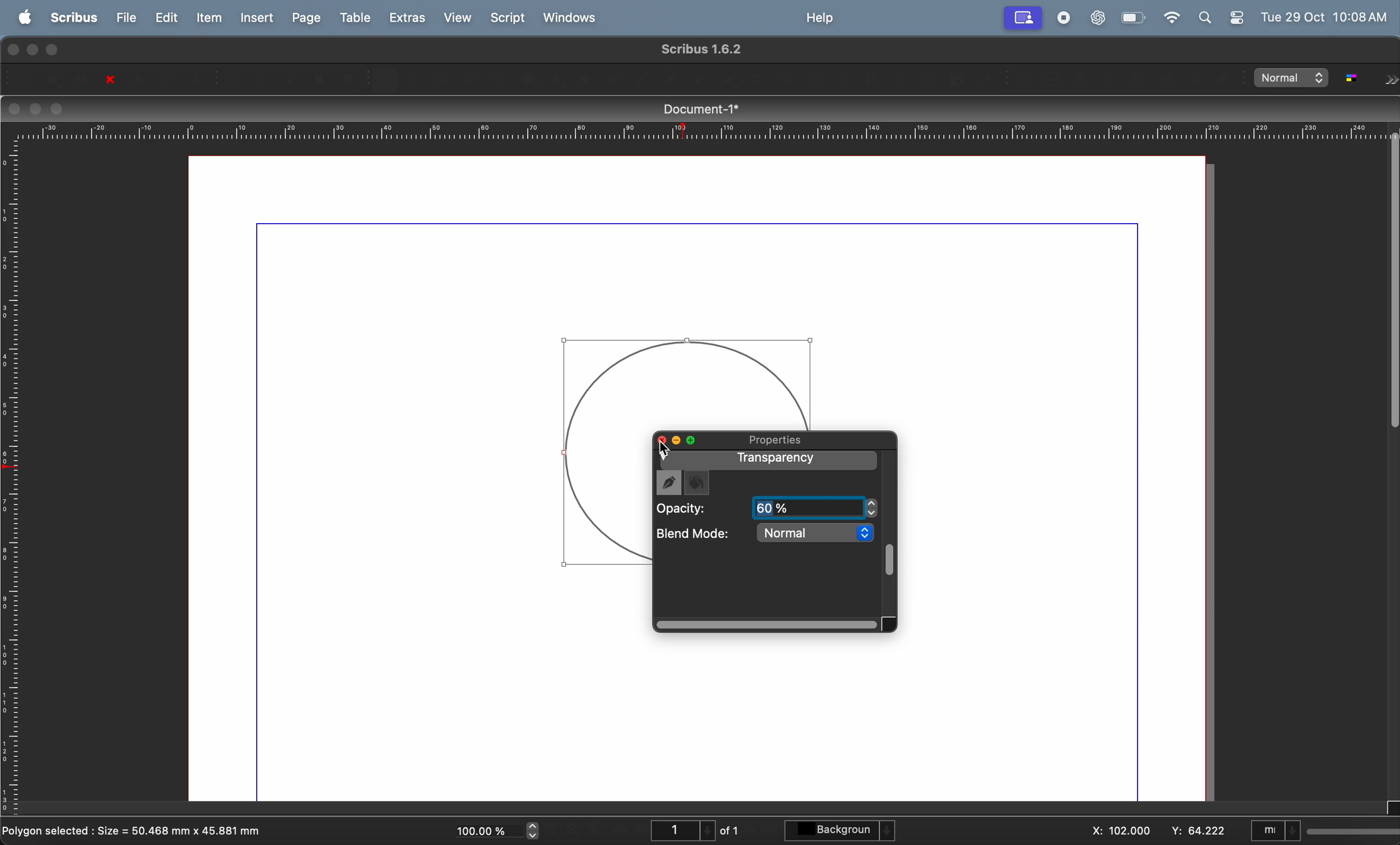 The width and height of the screenshot is (1400, 845). What do you see at coordinates (458, 18) in the screenshot?
I see `view` at bounding box center [458, 18].